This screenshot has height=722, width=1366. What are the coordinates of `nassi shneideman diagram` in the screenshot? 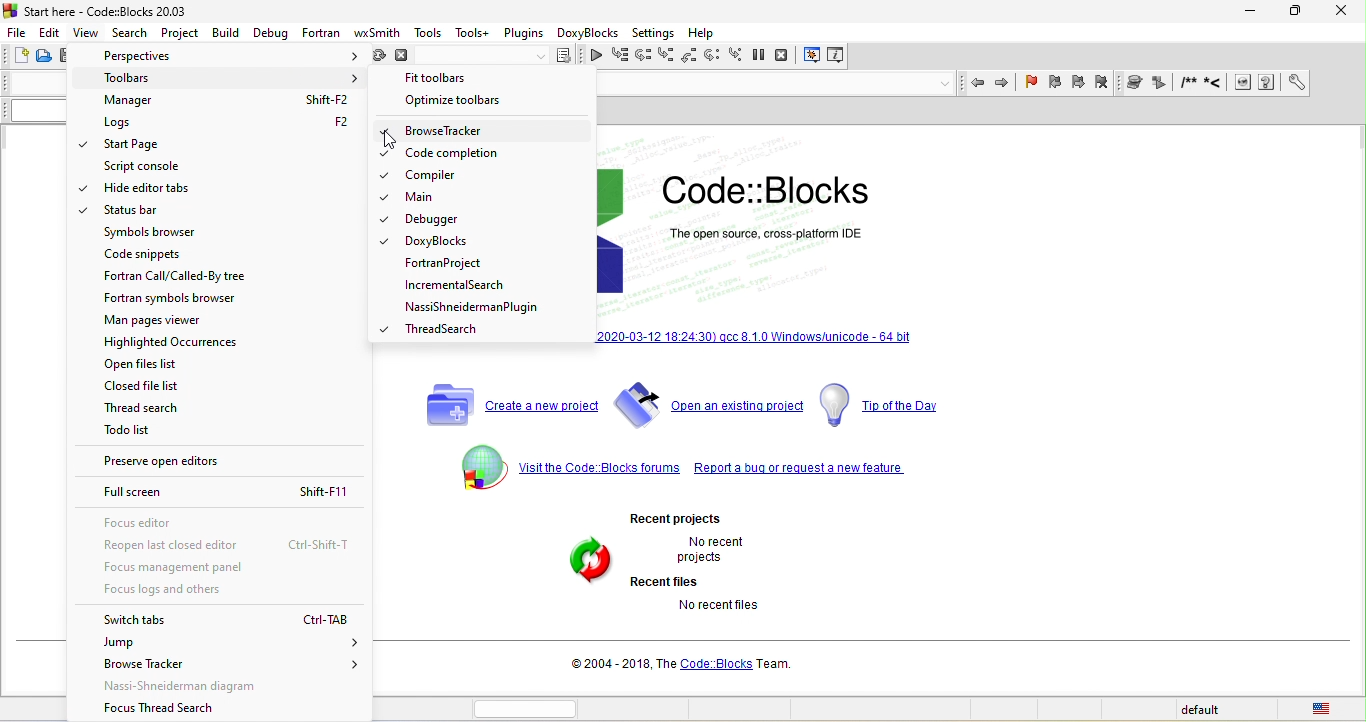 It's located at (204, 689).